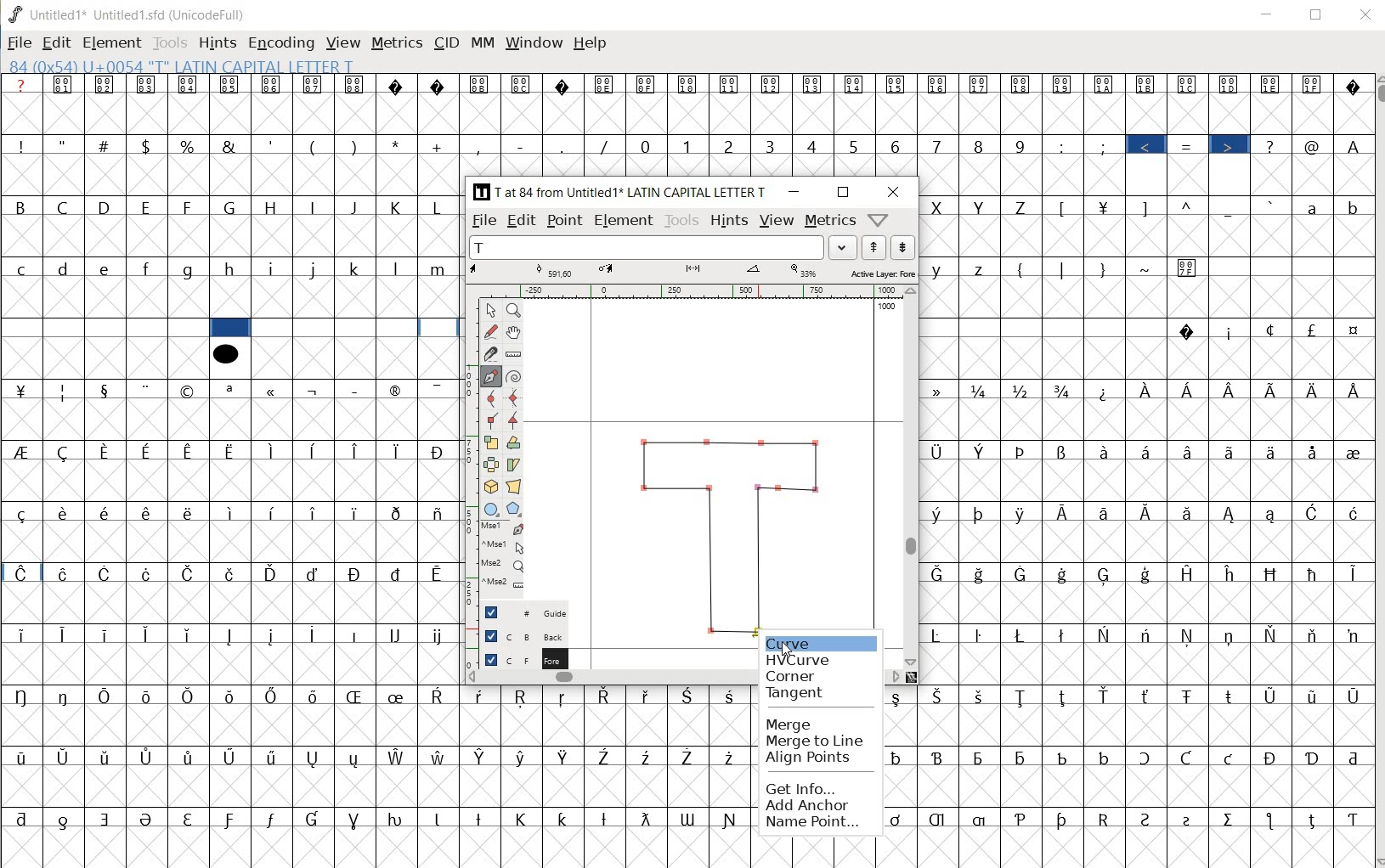 This screenshot has height=868, width=1385. Describe the element at coordinates (230, 328) in the screenshot. I see `cell selected` at that location.